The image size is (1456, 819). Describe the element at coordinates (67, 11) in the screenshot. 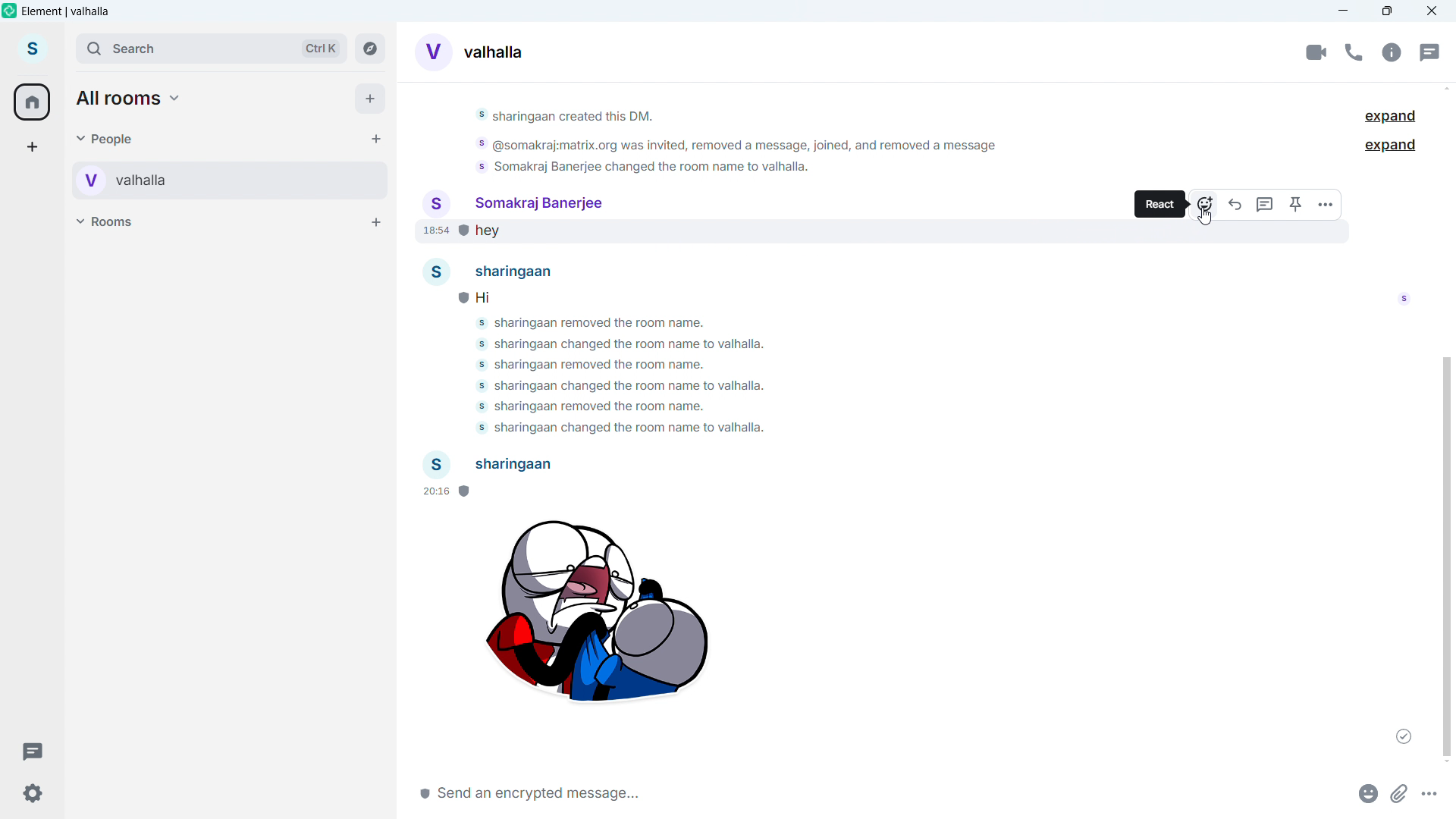

I see `element vahalla` at that location.